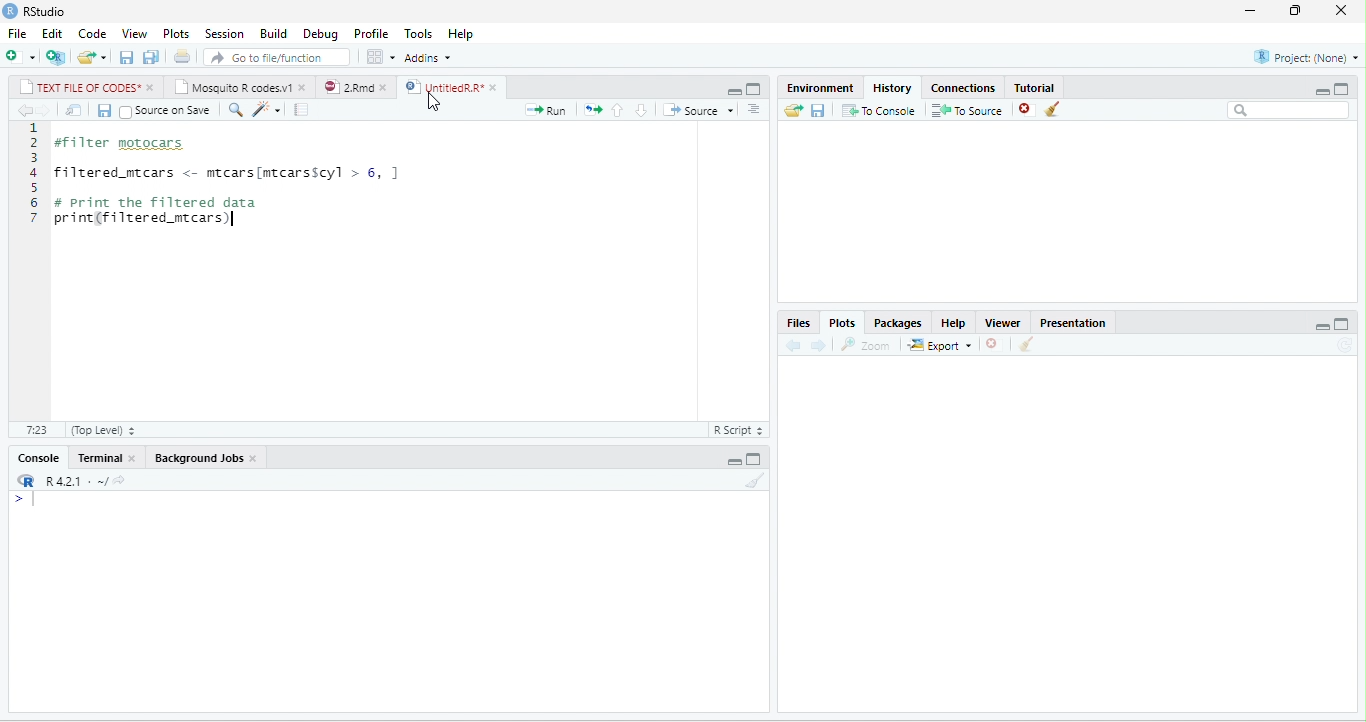 The width and height of the screenshot is (1366, 722). Describe the element at coordinates (1002, 323) in the screenshot. I see `Viewer` at that location.